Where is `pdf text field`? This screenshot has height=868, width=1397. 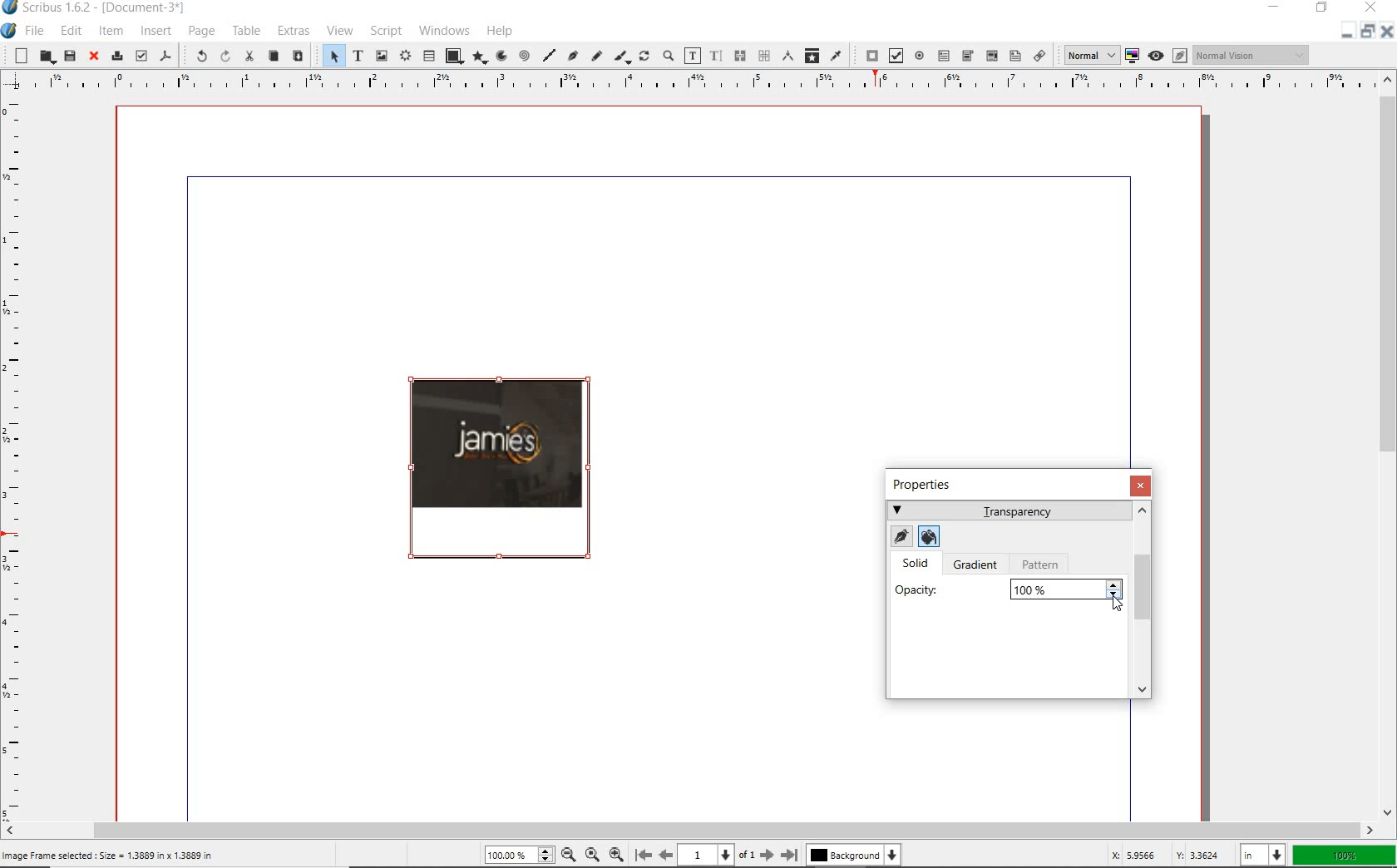 pdf text field is located at coordinates (945, 57).